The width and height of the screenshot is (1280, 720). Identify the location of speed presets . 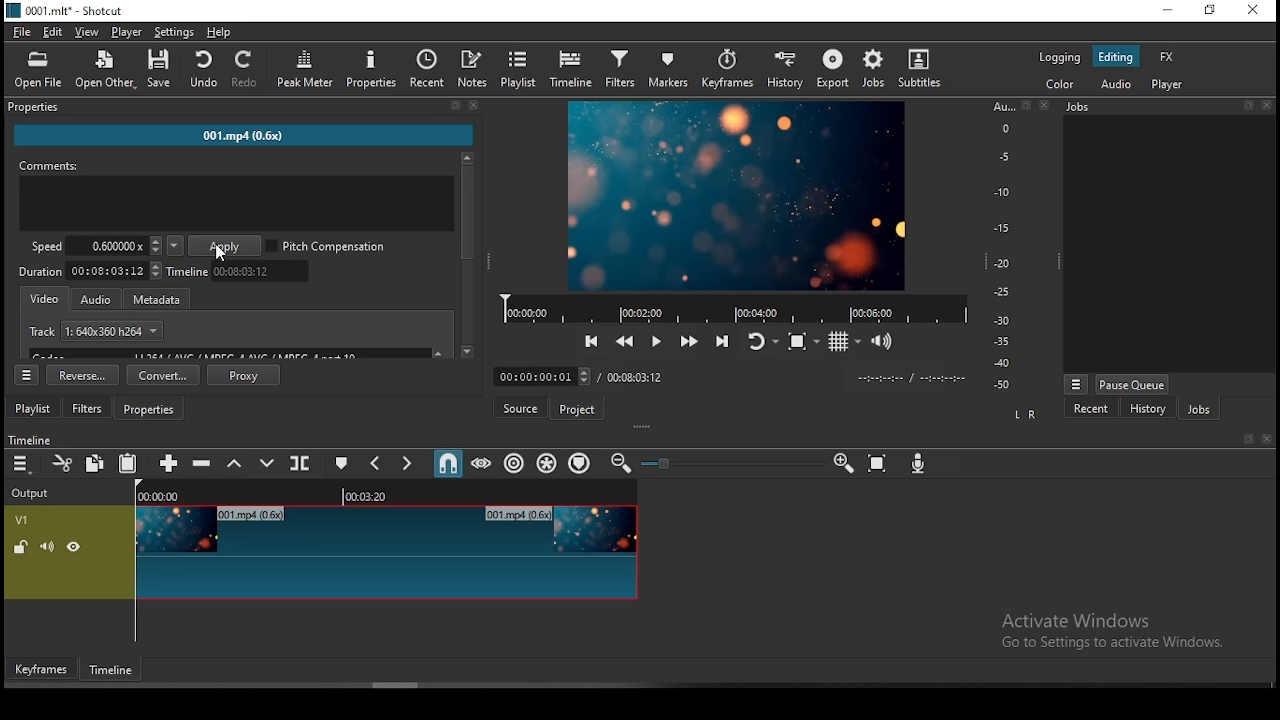
(175, 246).